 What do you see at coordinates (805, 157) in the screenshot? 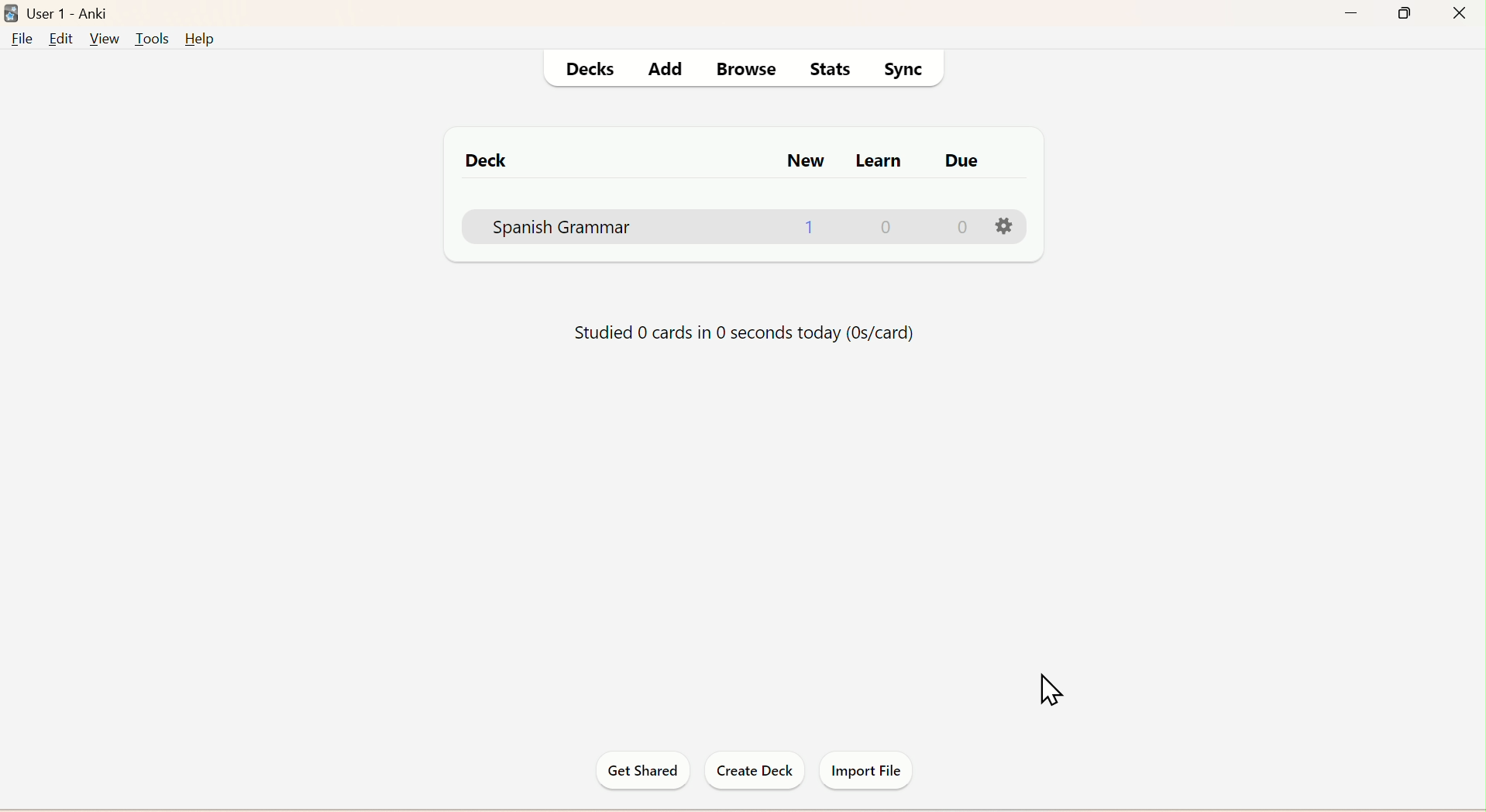
I see `New` at bounding box center [805, 157].